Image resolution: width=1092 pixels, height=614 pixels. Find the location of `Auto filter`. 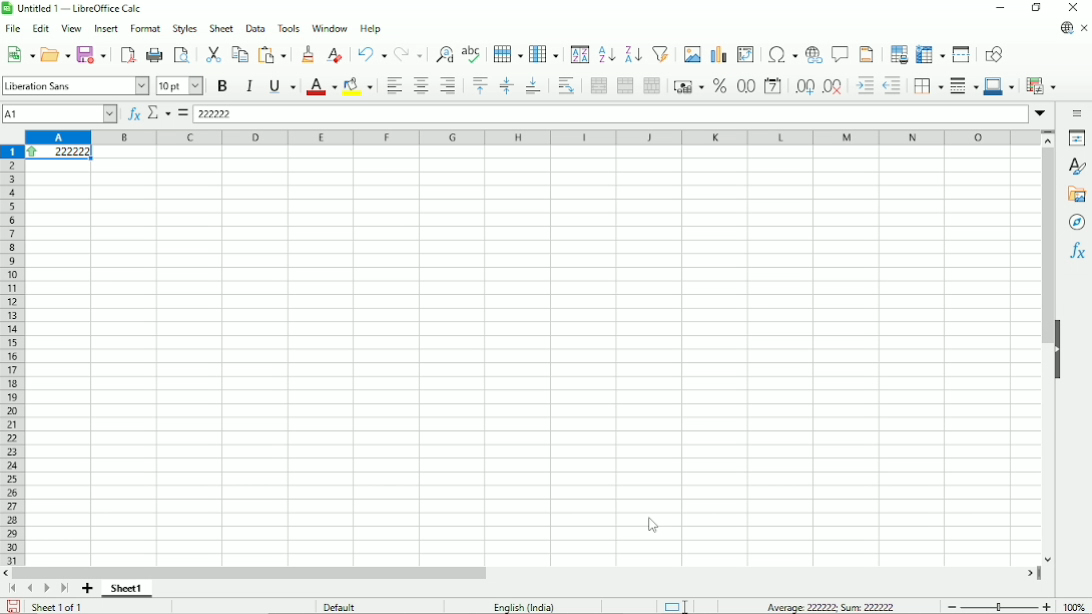

Auto filter is located at coordinates (661, 52).